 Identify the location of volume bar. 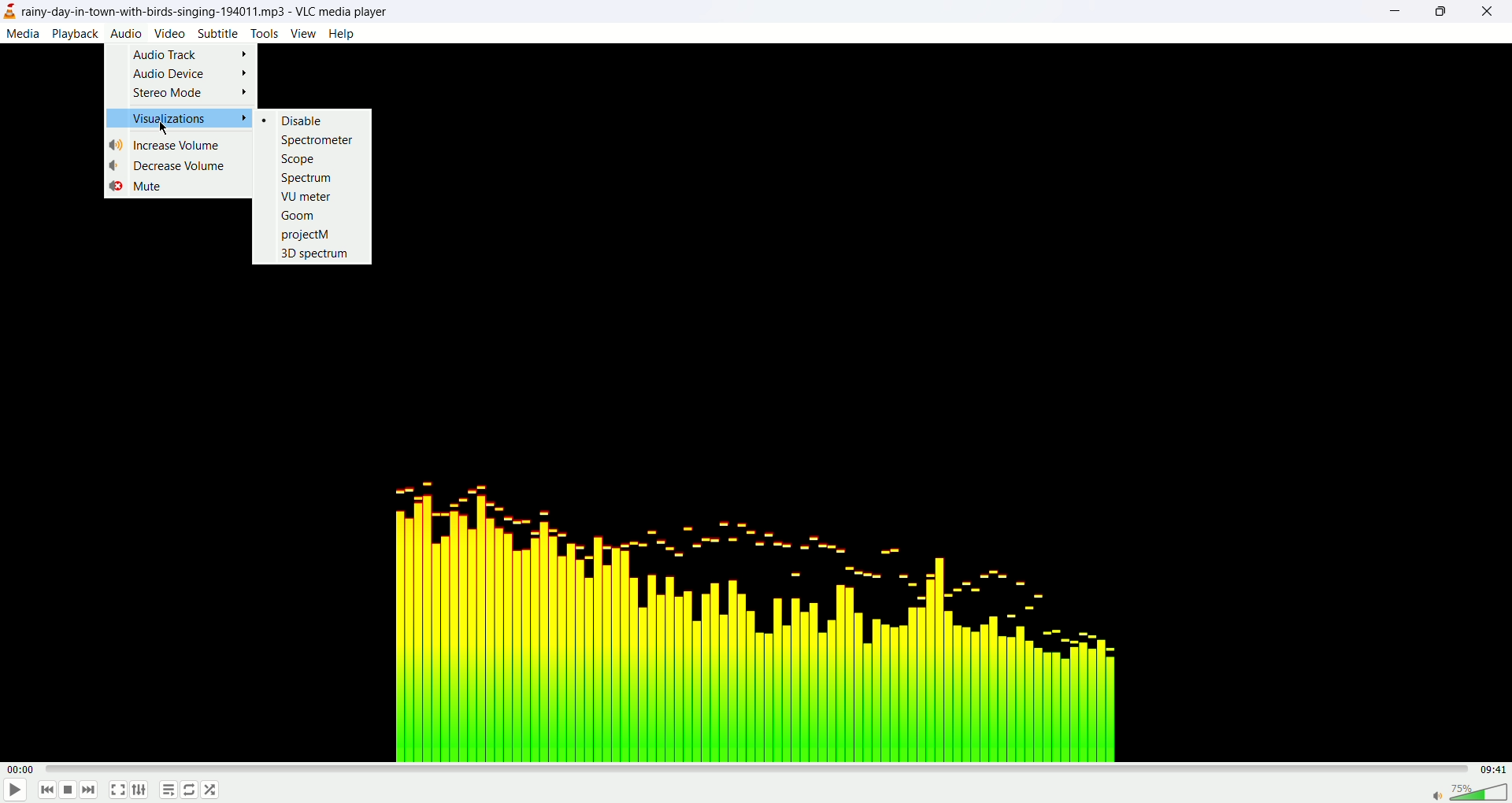
(1470, 791).